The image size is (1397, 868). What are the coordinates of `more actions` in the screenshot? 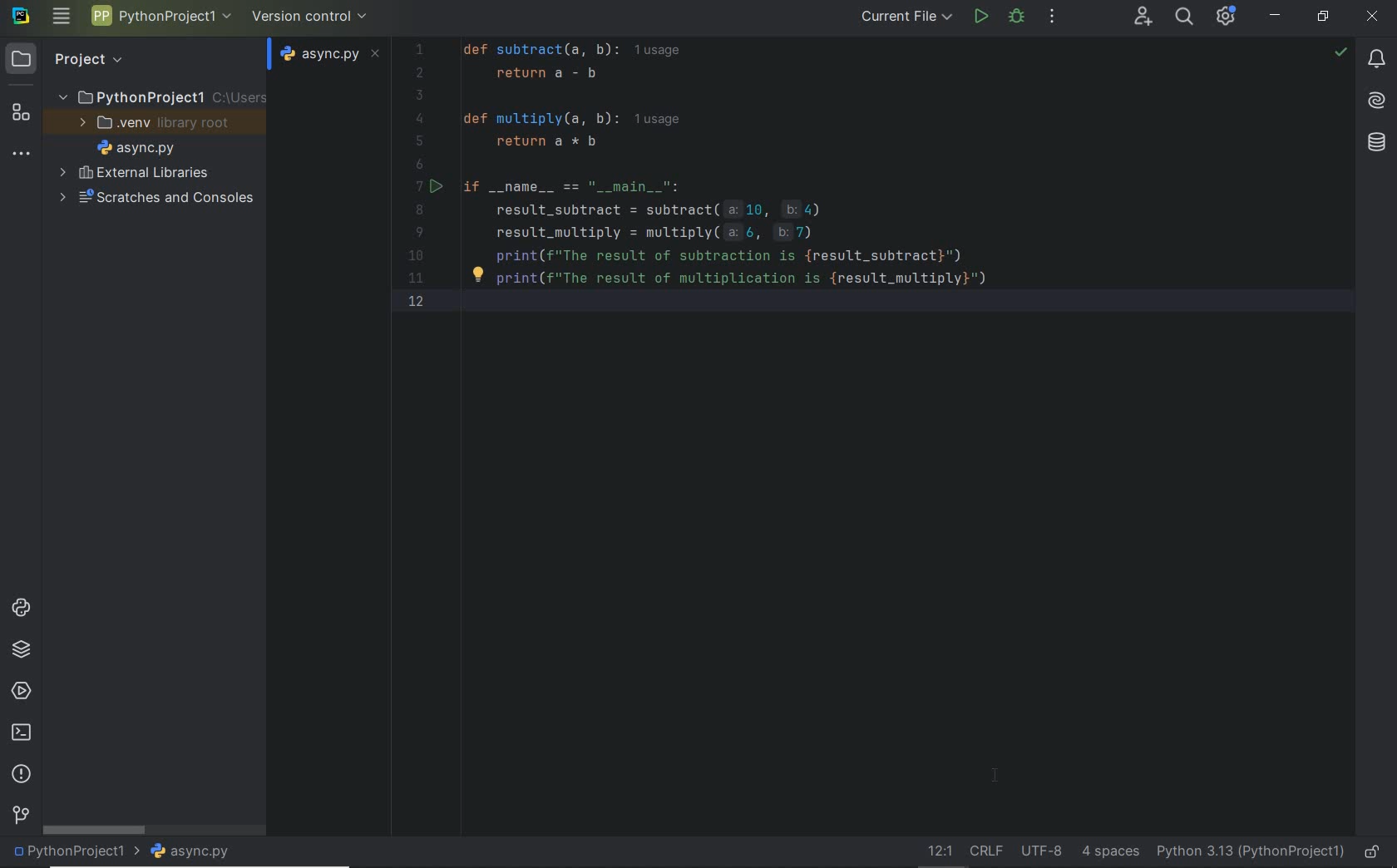 It's located at (1053, 18).